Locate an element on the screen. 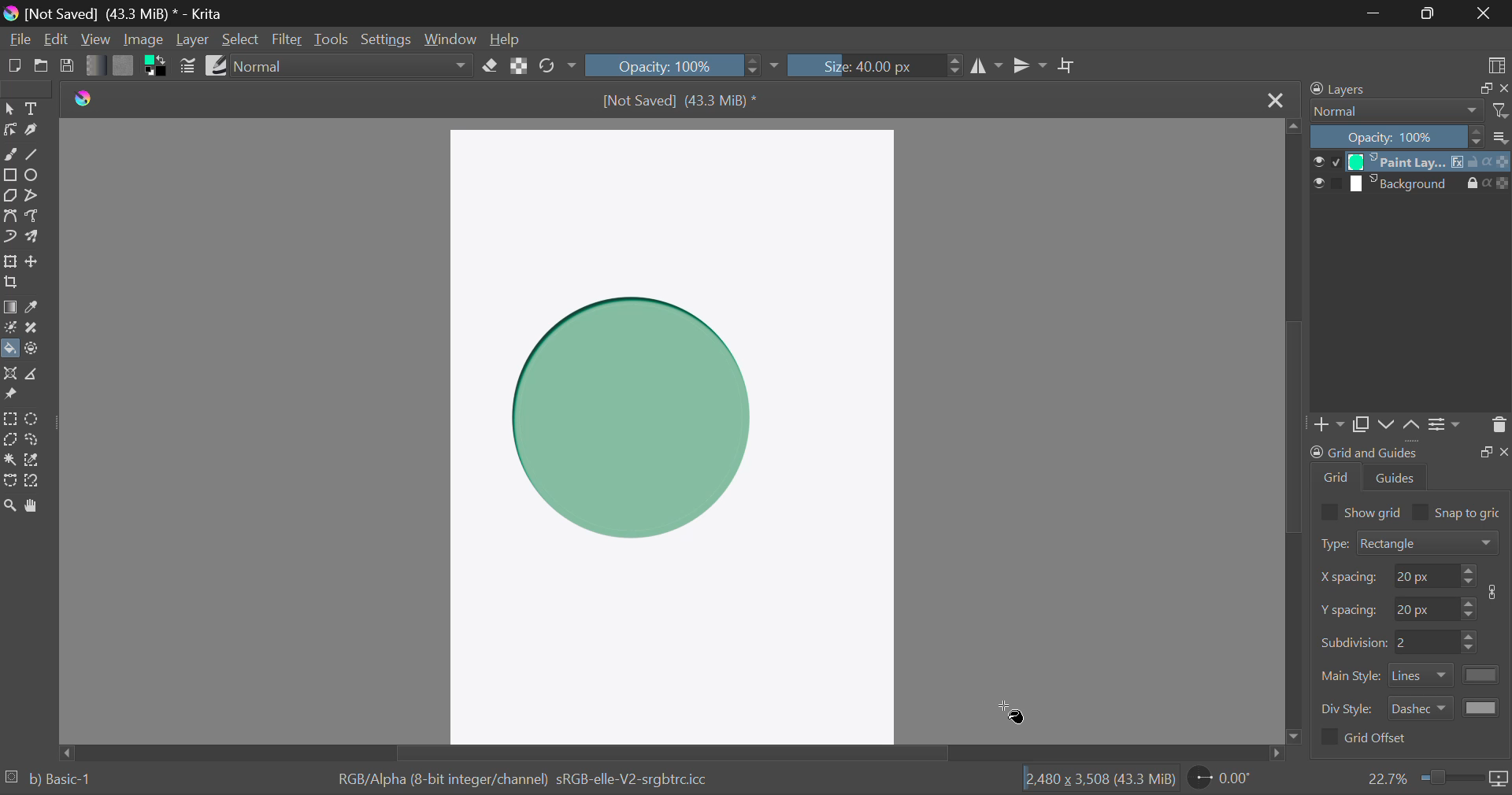  Edit is located at coordinates (57, 39).